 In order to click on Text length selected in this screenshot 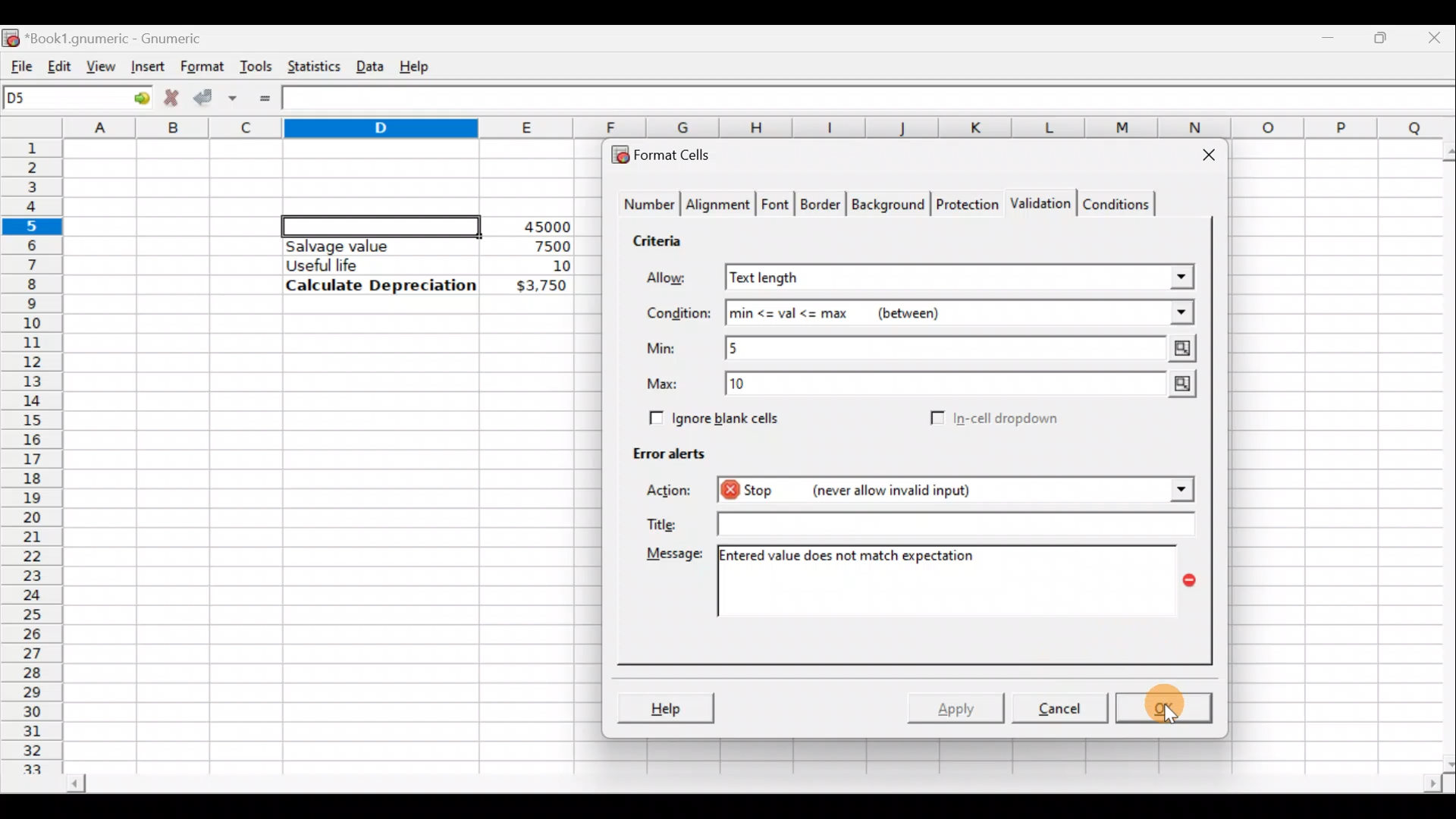, I will do `click(961, 278)`.